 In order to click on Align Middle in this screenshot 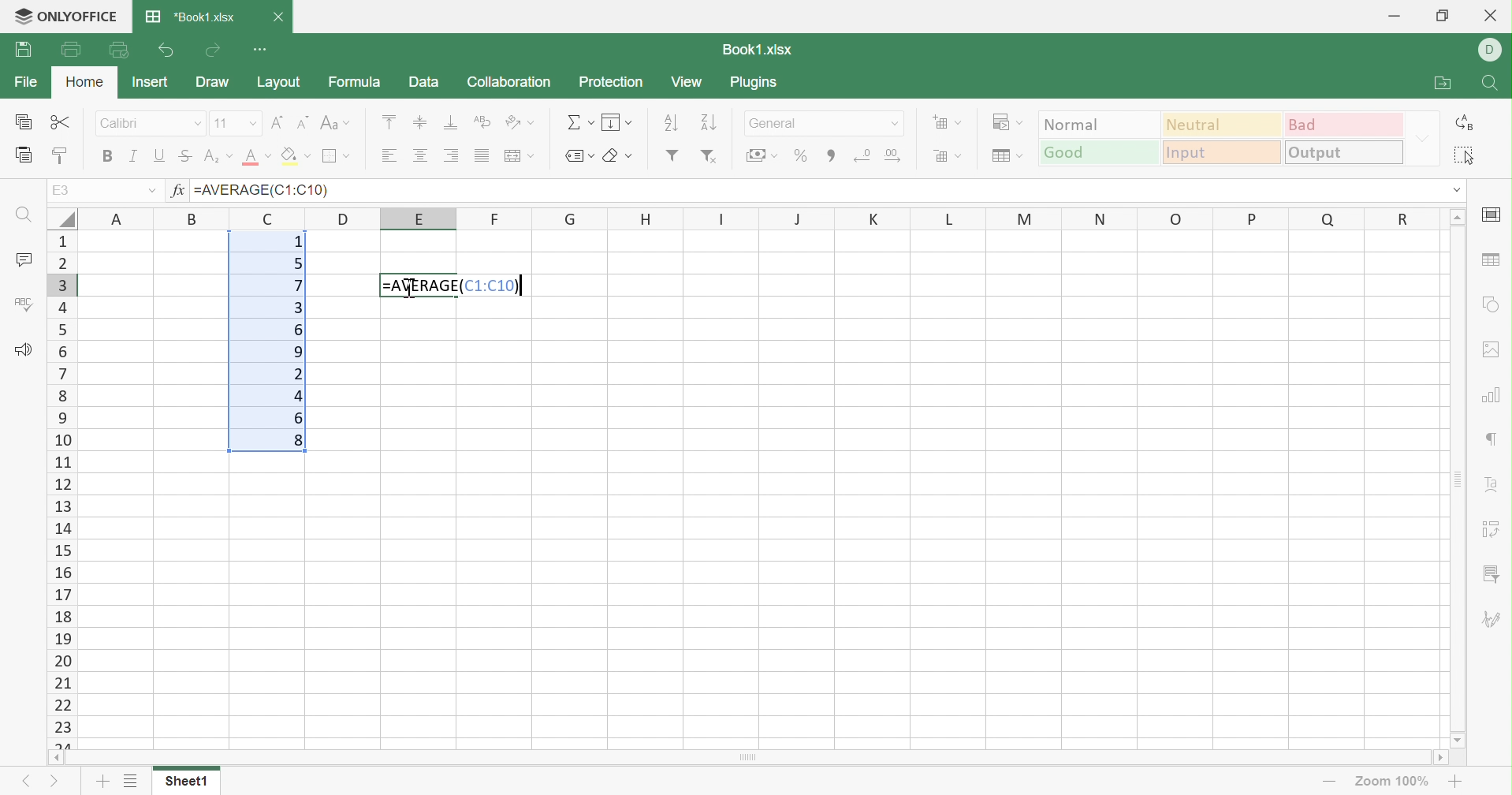, I will do `click(420, 122)`.